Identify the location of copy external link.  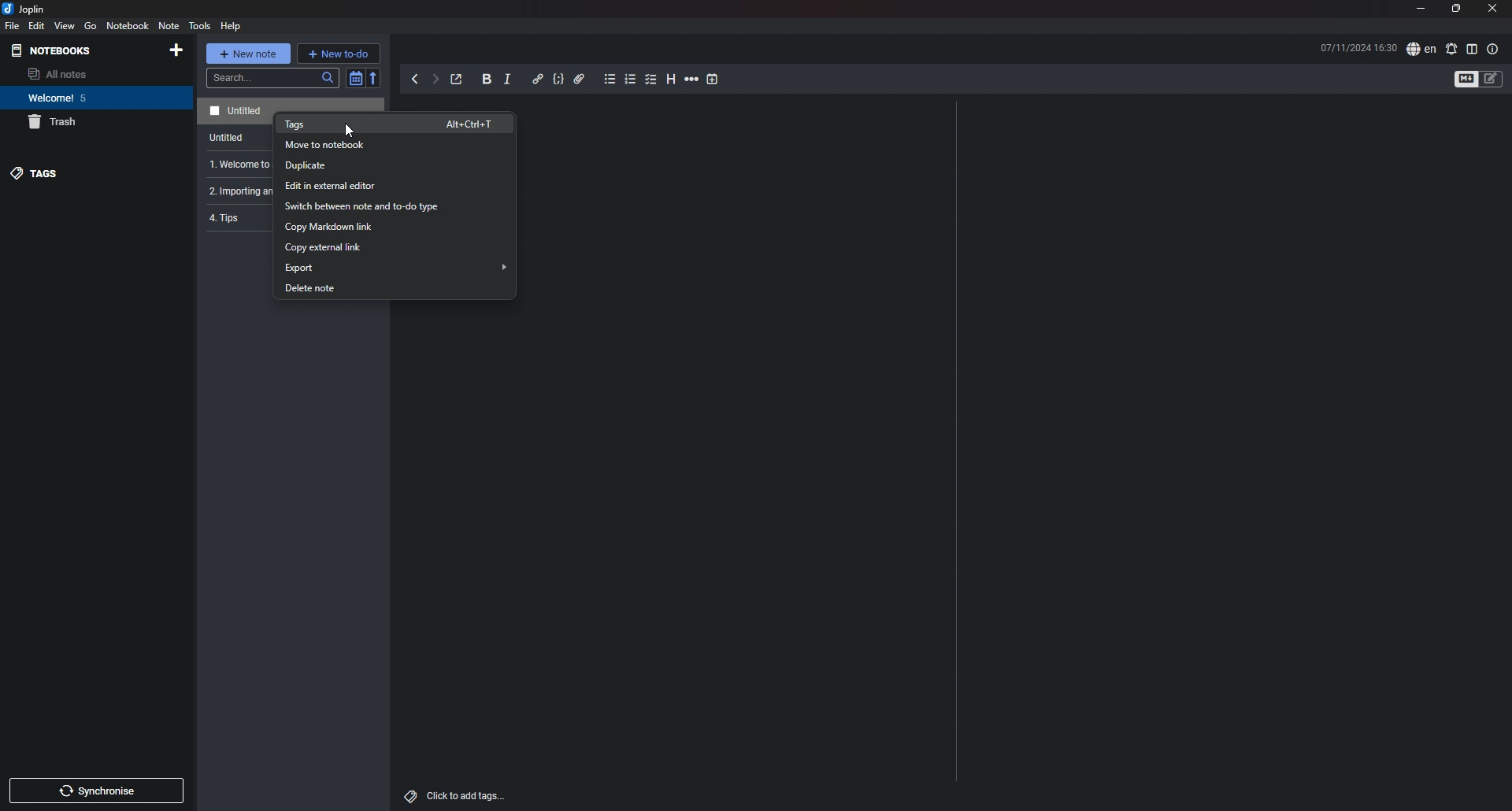
(391, 247).